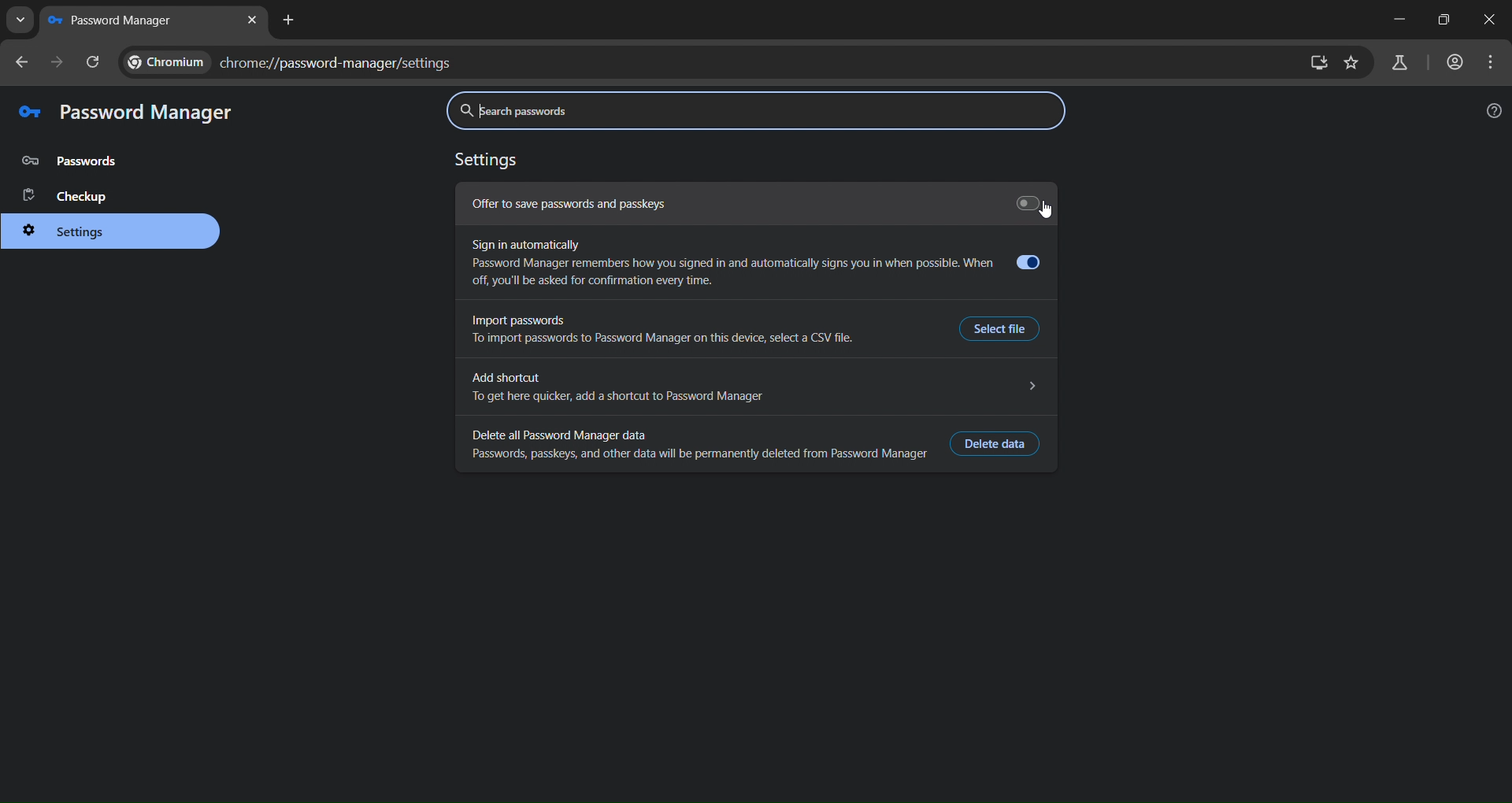 Image resolution: width=1512 pixels, height=803 pixels. Describe the element at coordinates (170, 62) in the screenshot. I see `CHROME` at that location.